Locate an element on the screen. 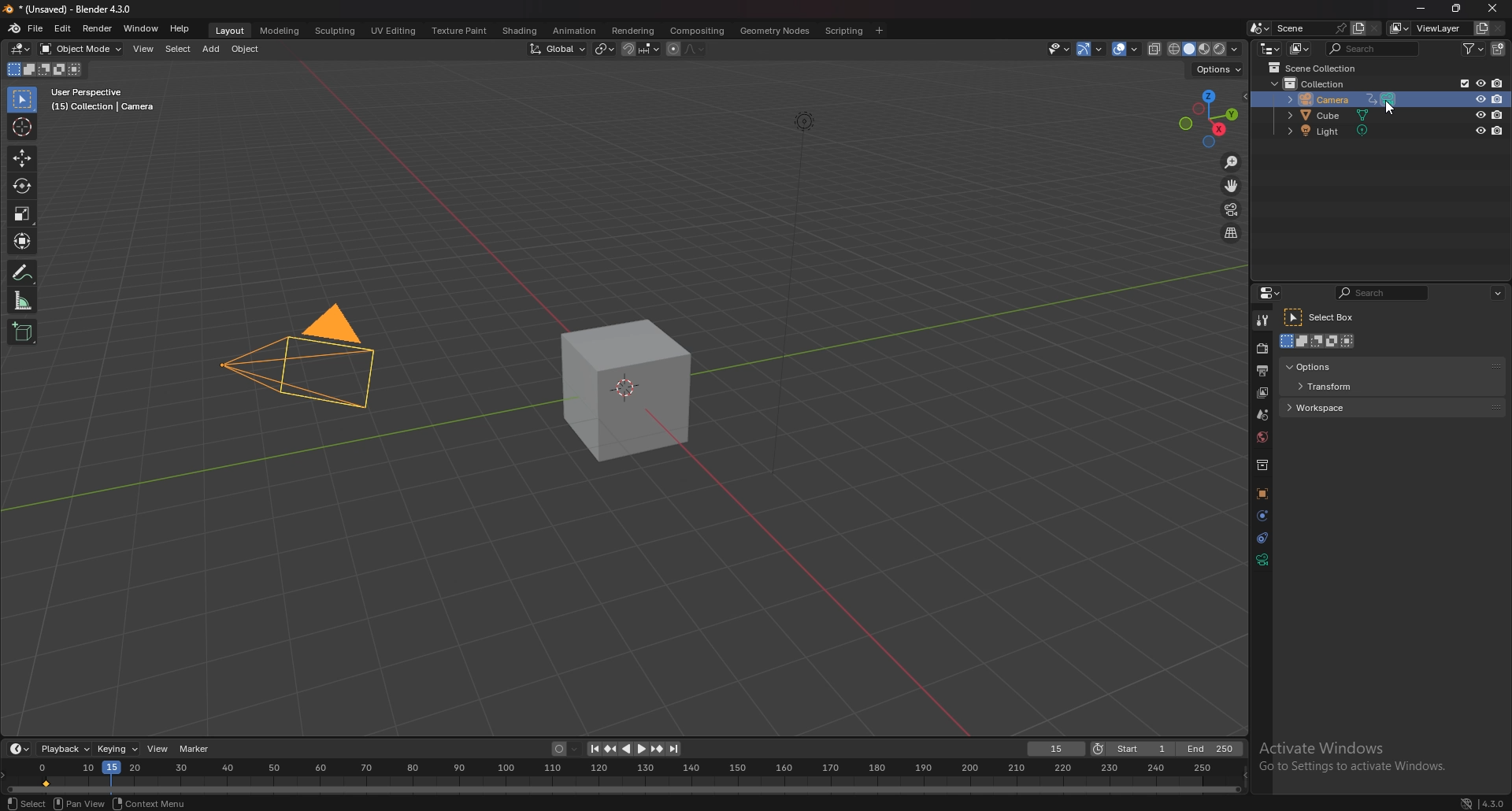  disable in renders is located at coordinates (1496, 99).